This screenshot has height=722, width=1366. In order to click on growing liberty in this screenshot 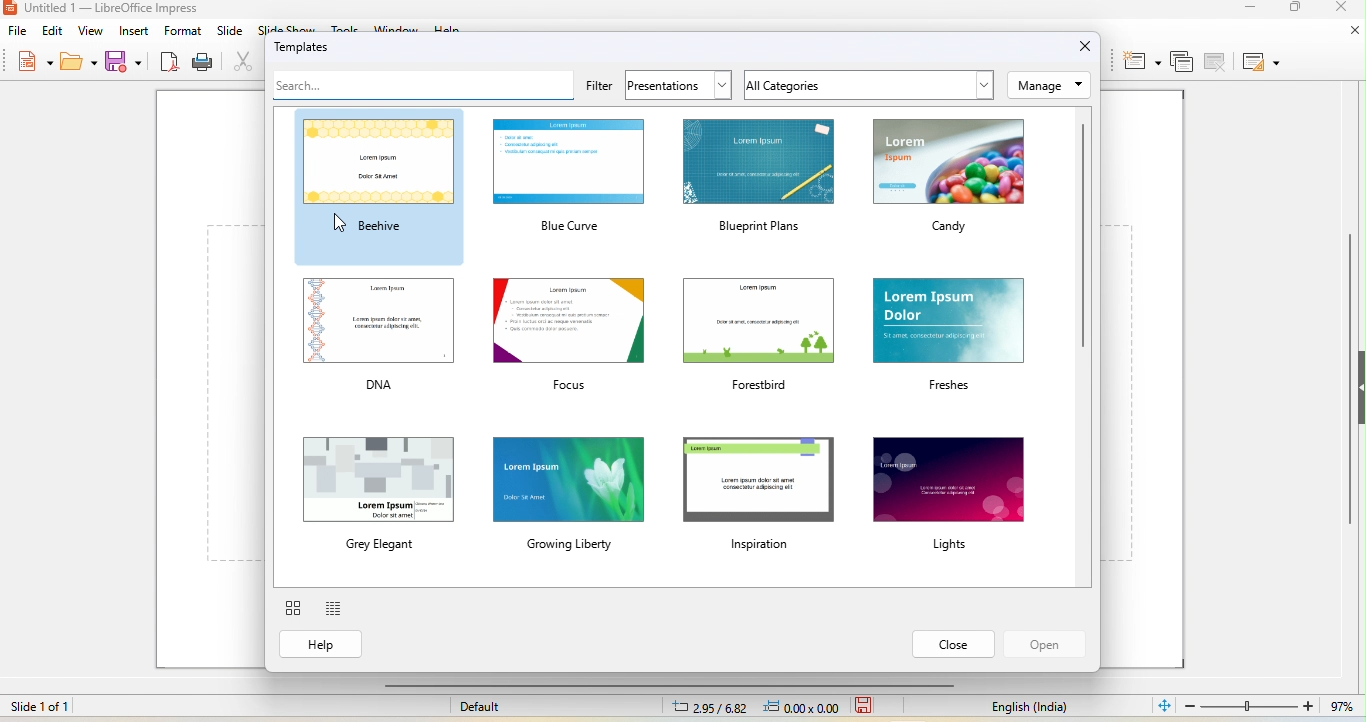, I will do `click(570, 495)`.